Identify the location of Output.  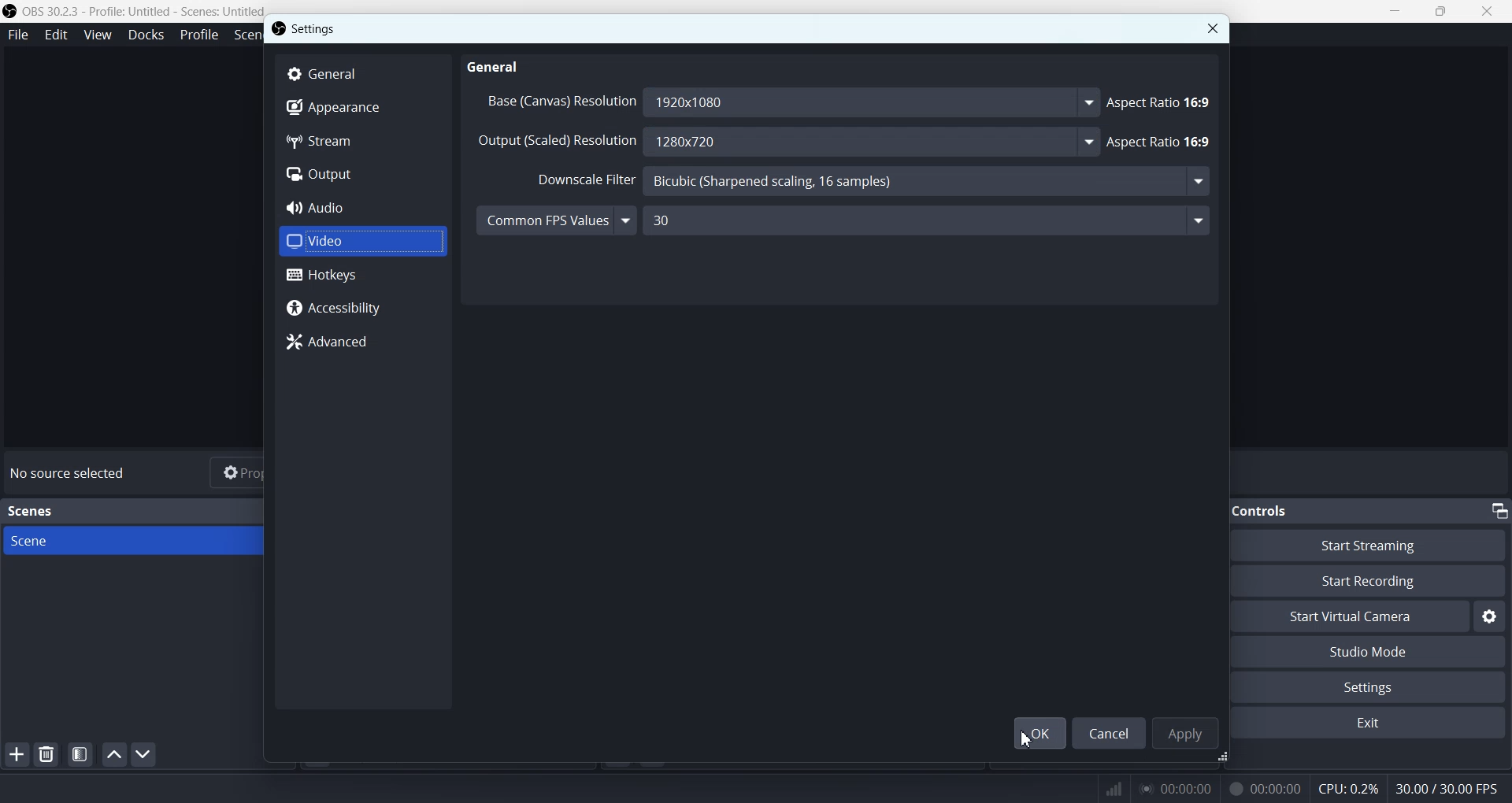
(362, 174).